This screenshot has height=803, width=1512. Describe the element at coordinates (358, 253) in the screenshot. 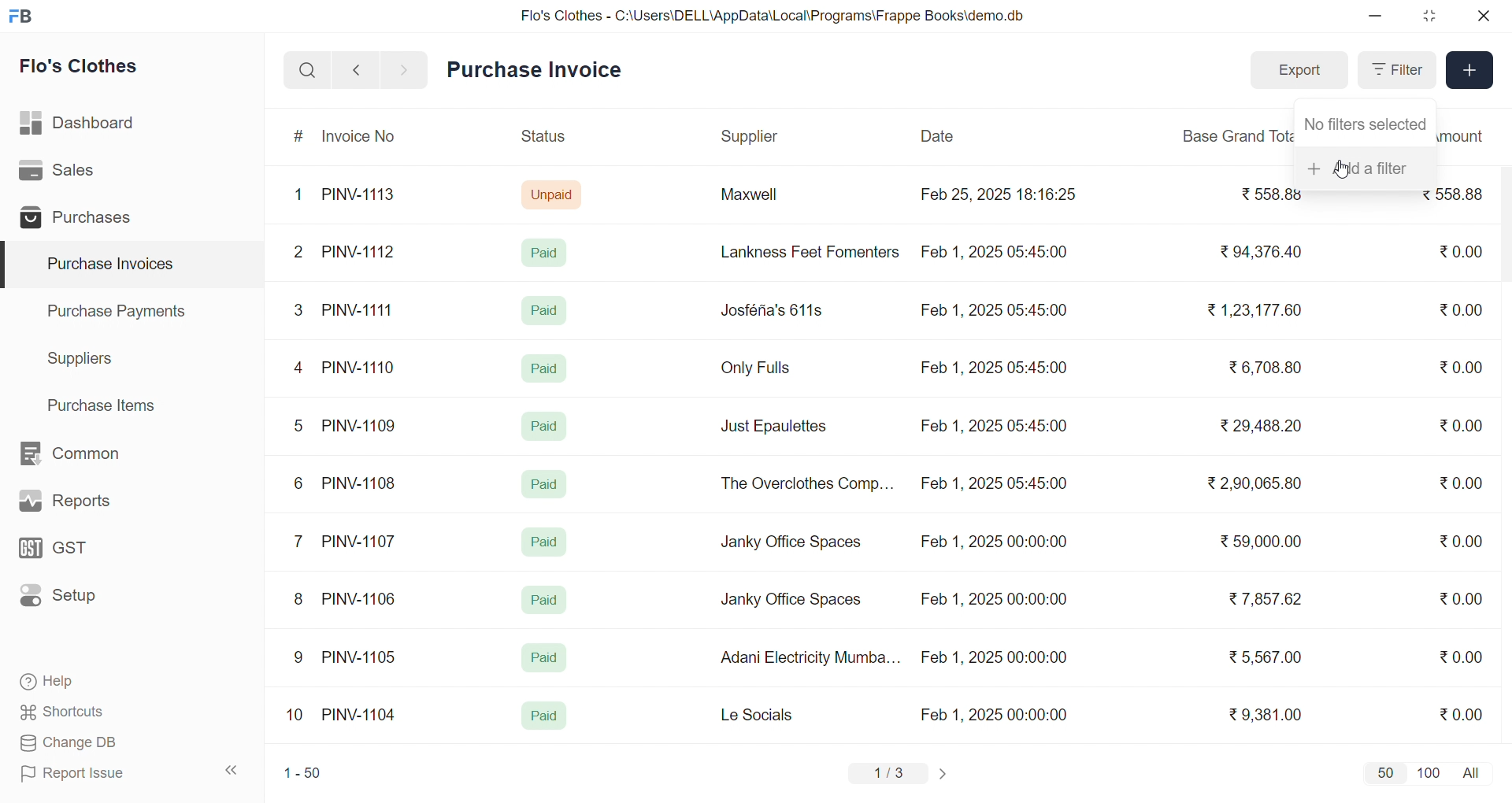

I see `PINV-1112` at that location.